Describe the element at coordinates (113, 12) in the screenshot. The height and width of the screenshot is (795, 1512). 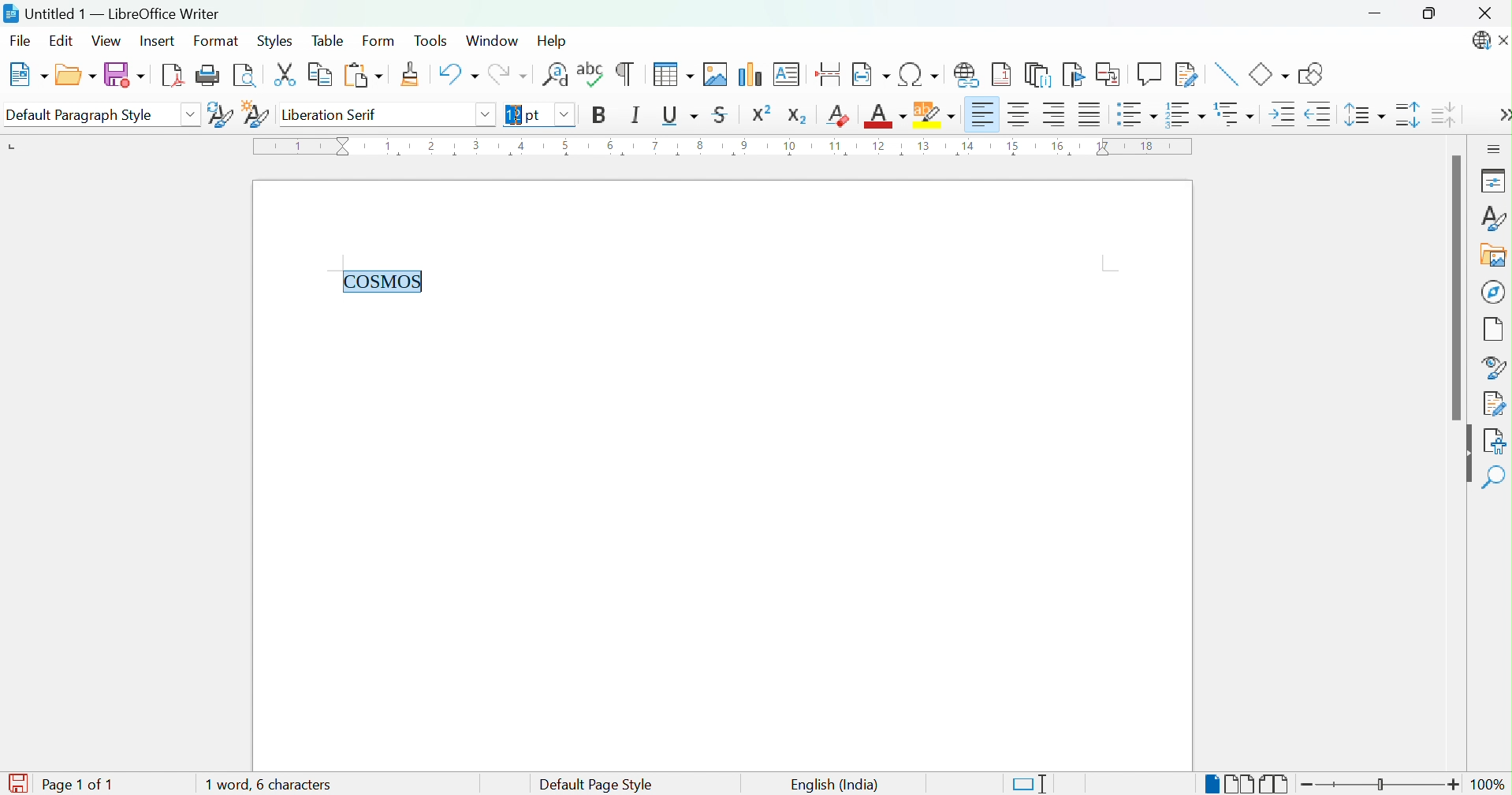
I see `Untitled 1 - LibreOffice Writer` at that location.